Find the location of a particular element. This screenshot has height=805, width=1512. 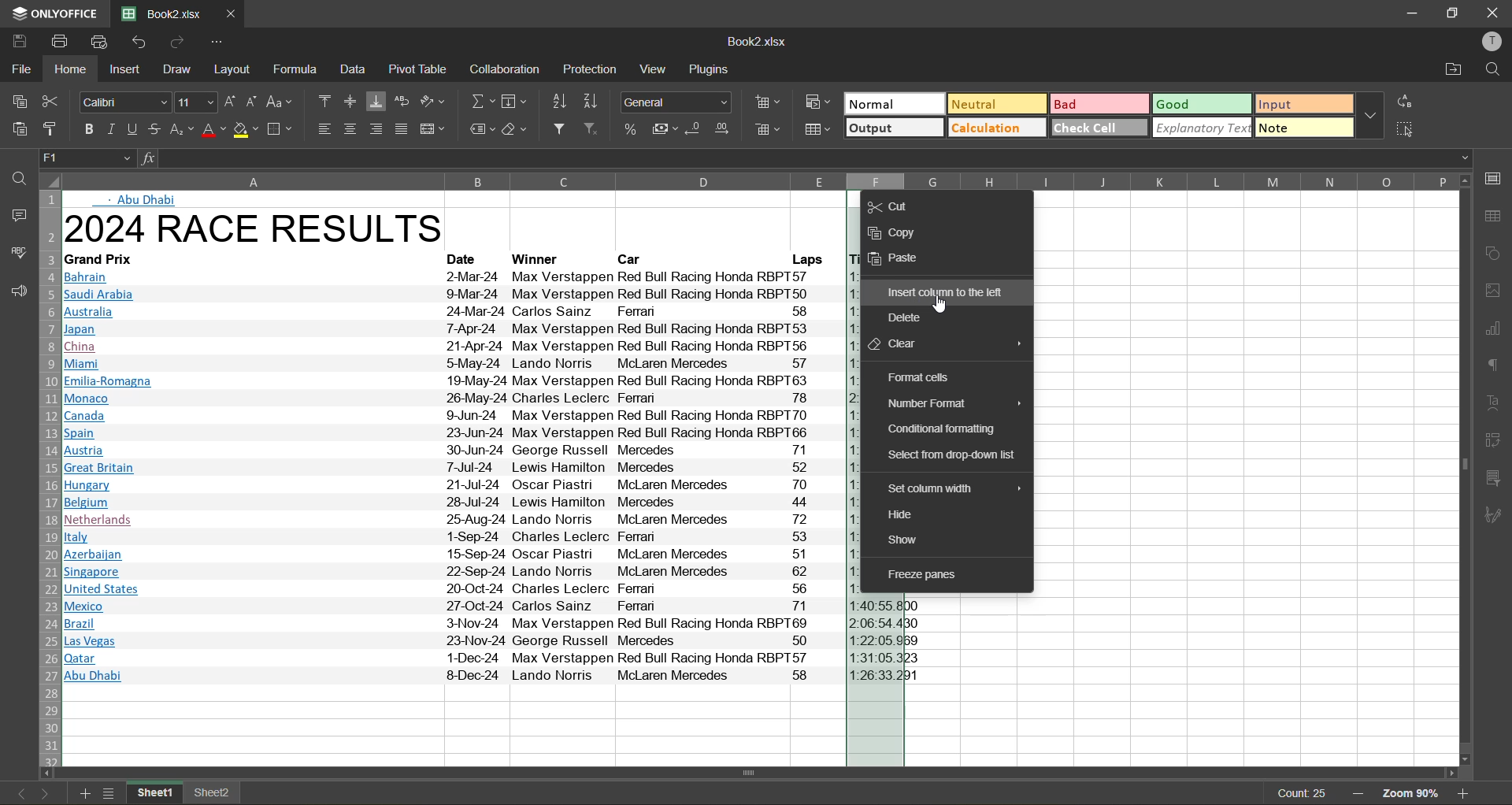

calculation is located at coordinates (995, 128).